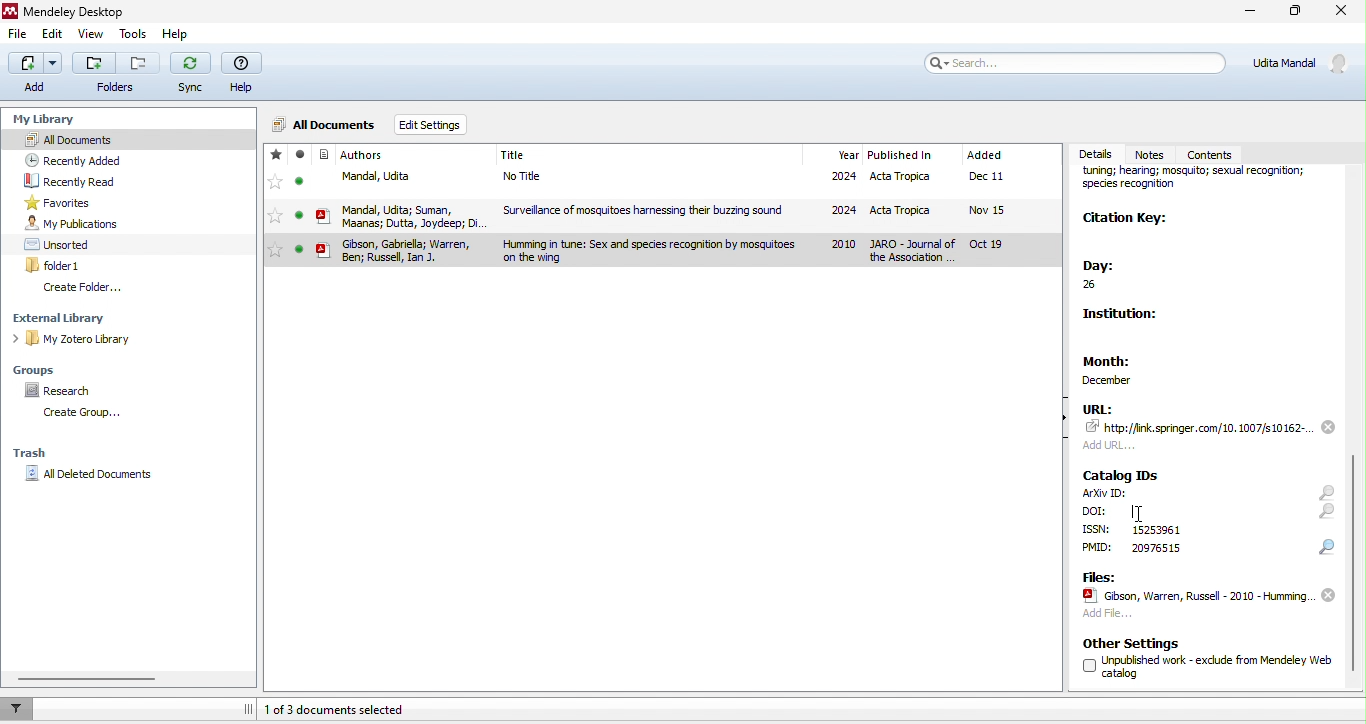 The height and width of the screenshot is (724, 1366). Describe the element at coordinates (128, 138) in the screenshot. I see `all documents` at that location.